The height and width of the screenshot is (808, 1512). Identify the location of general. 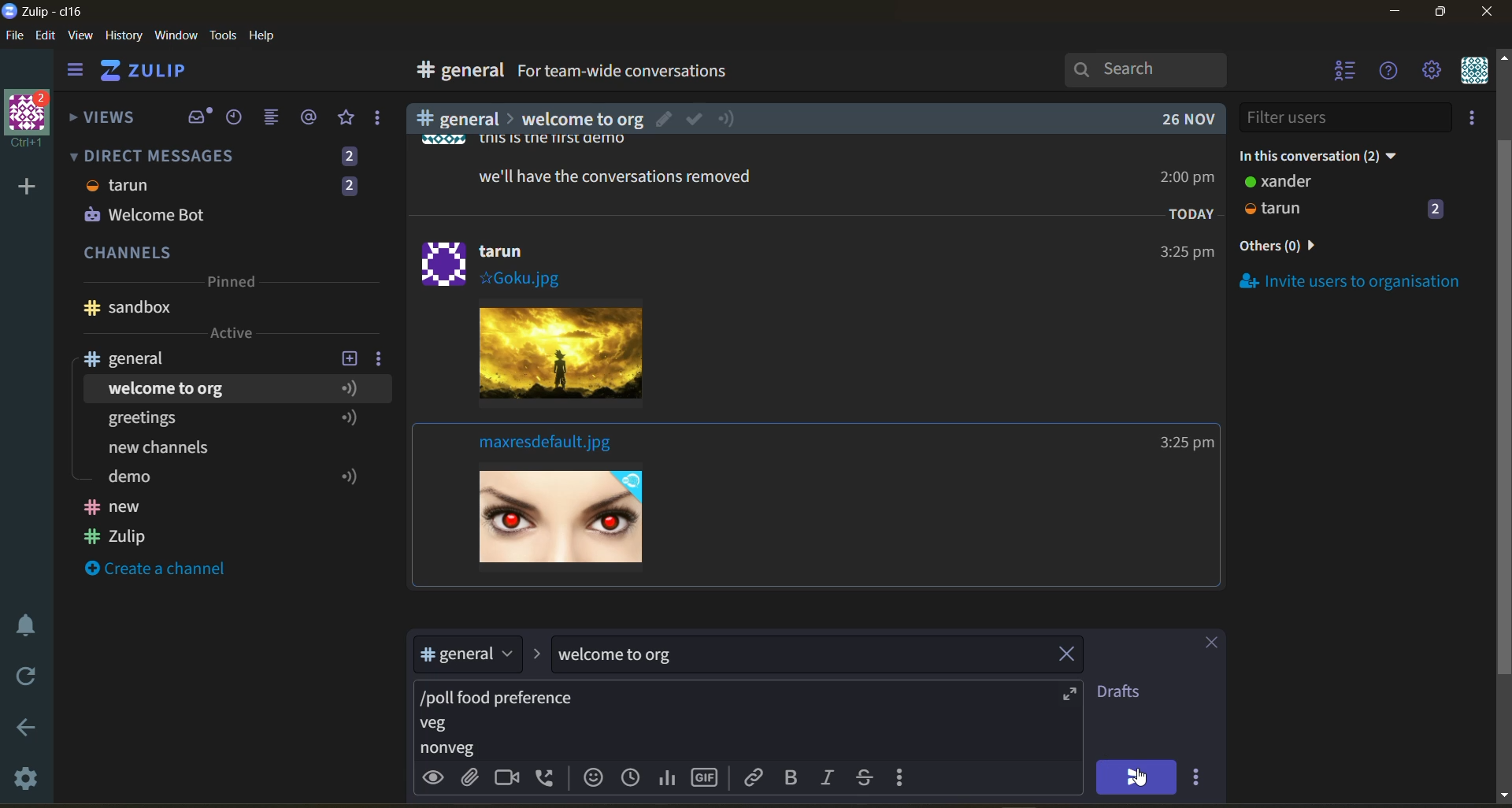
(461, 71).